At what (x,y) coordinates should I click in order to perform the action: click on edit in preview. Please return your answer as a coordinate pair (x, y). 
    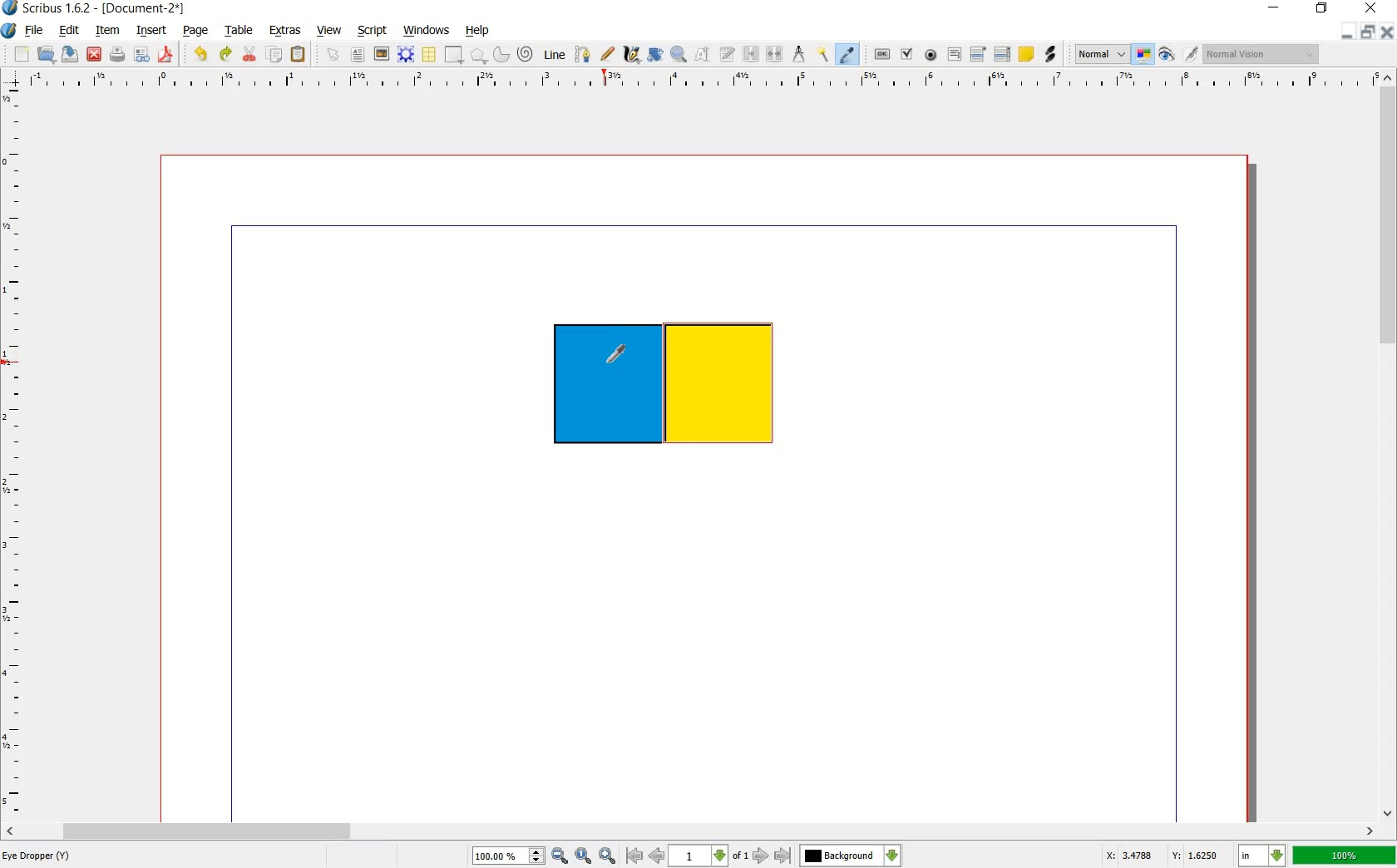
    Looking at the image, I should click on (1190, 53).